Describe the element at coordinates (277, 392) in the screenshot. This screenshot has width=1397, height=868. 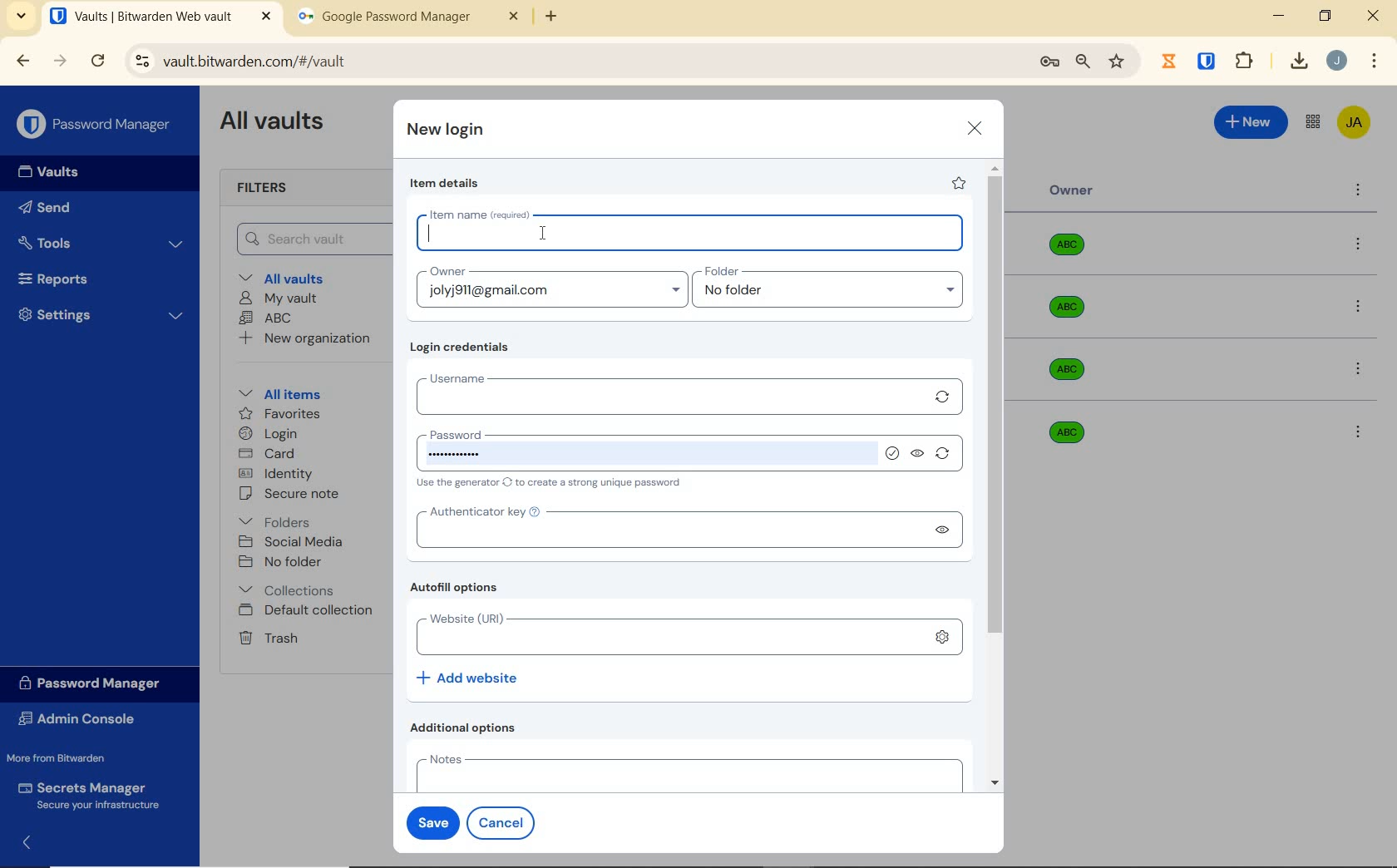
I see `All items` at that location.